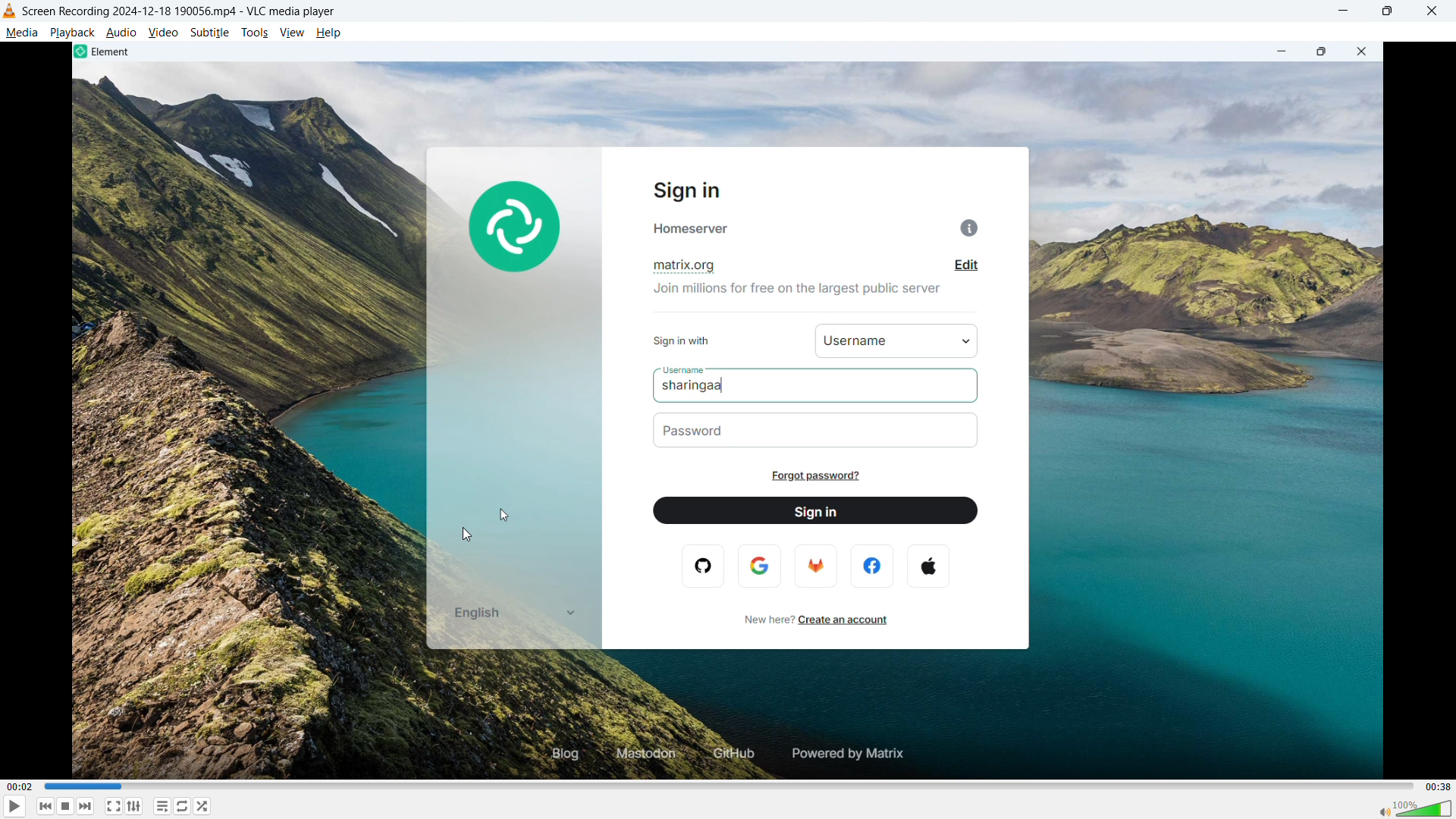  I want to click on Maximise , so click(1386, 11).